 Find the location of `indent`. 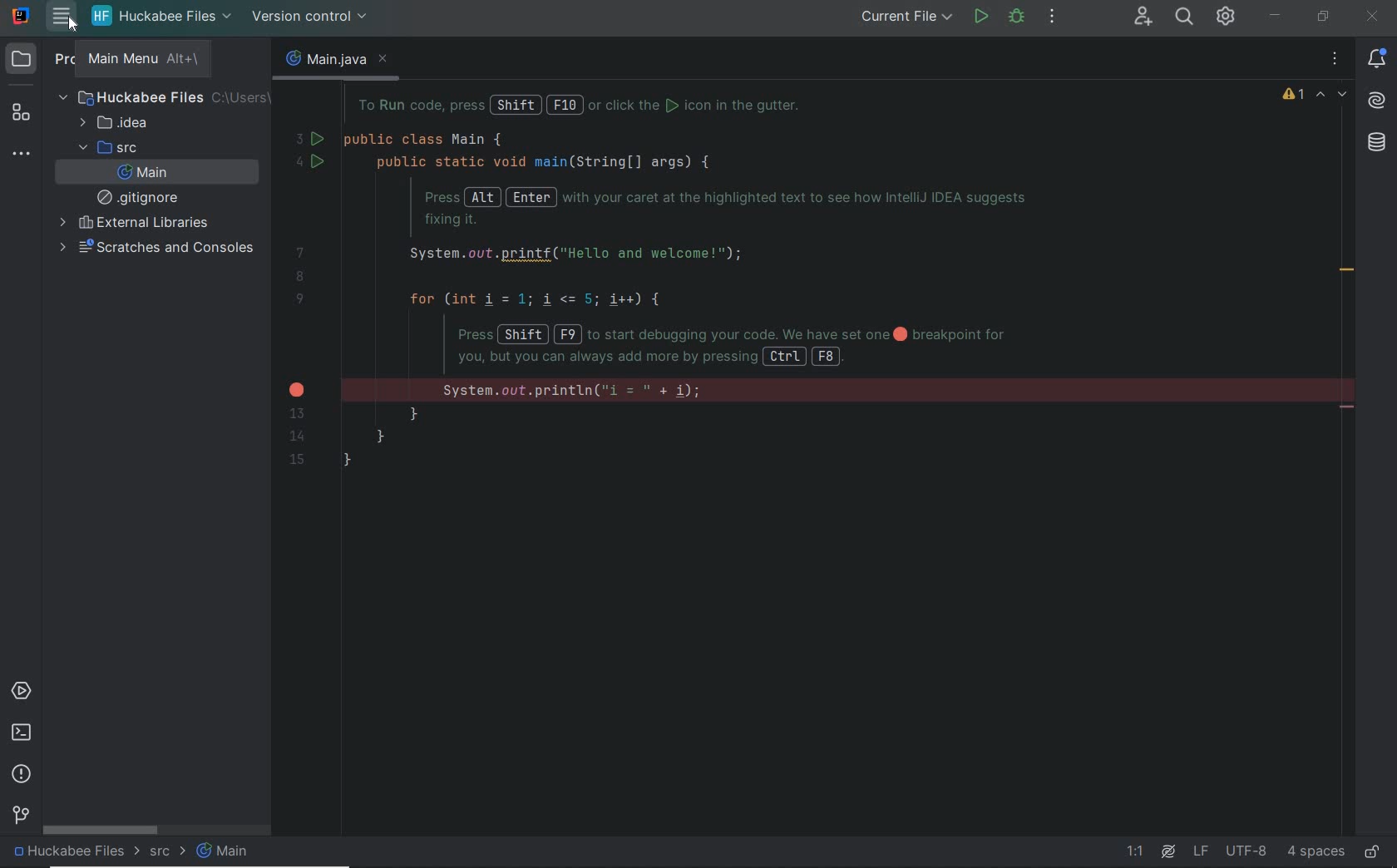

indent is located at coordinates (1314, 851).